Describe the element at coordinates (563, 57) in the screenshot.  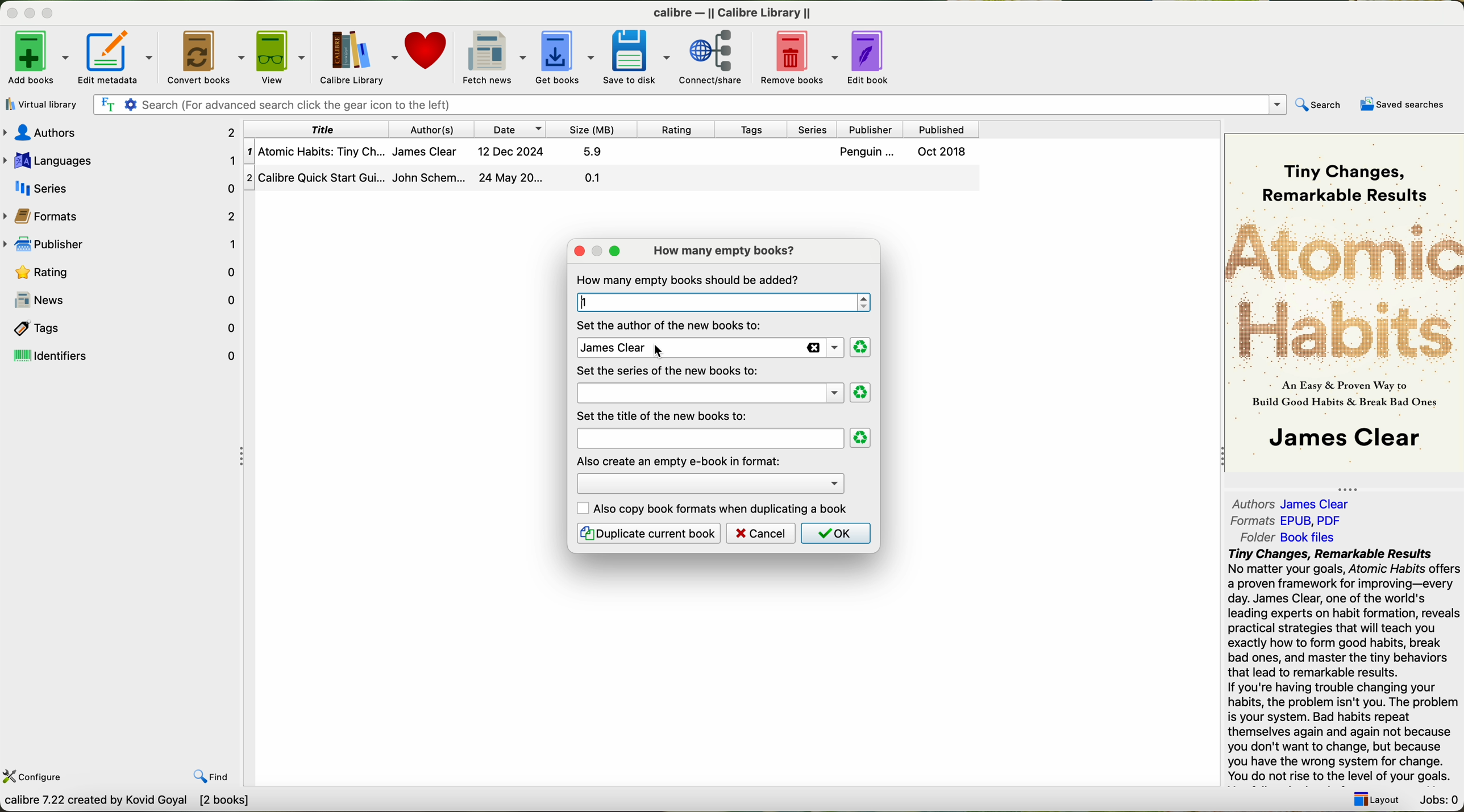
I see `get books` at that location.